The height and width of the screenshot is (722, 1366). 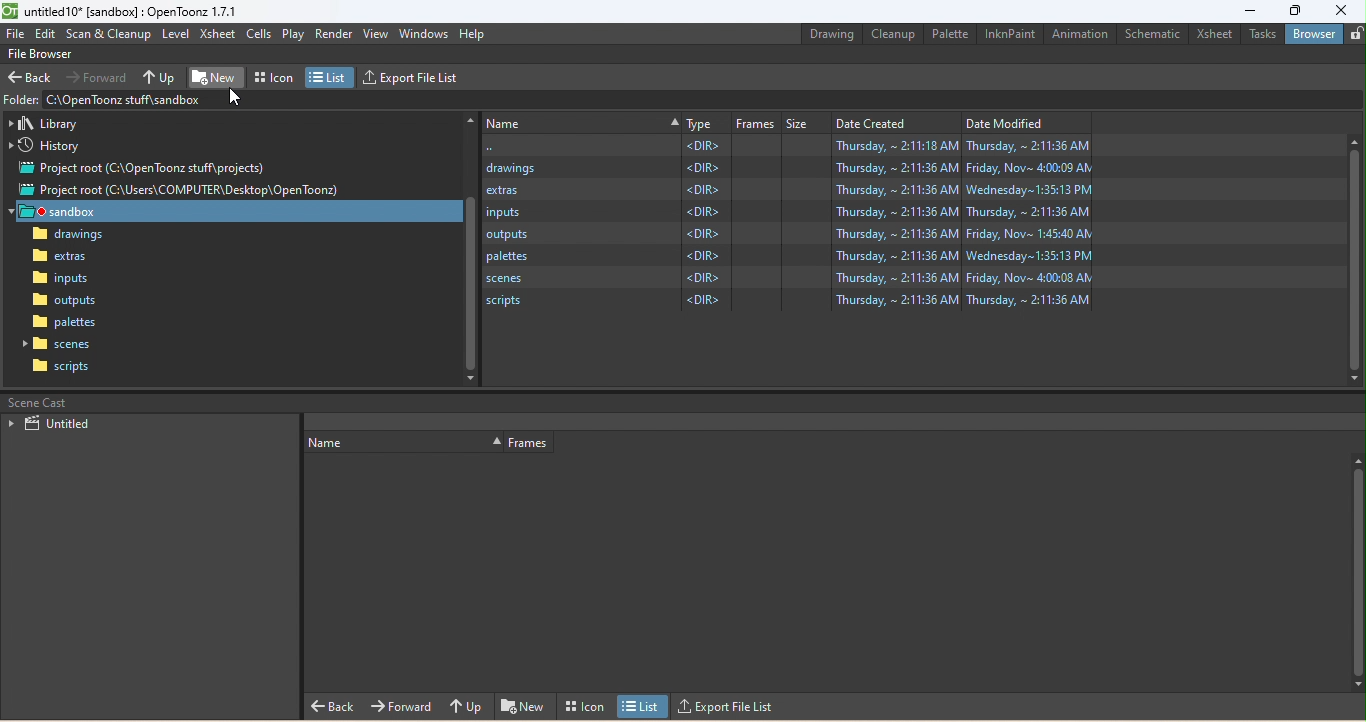 What do you see at coordinates (162, 76) in the screenshot?
I see `Up` at bounding box center [162, 76].